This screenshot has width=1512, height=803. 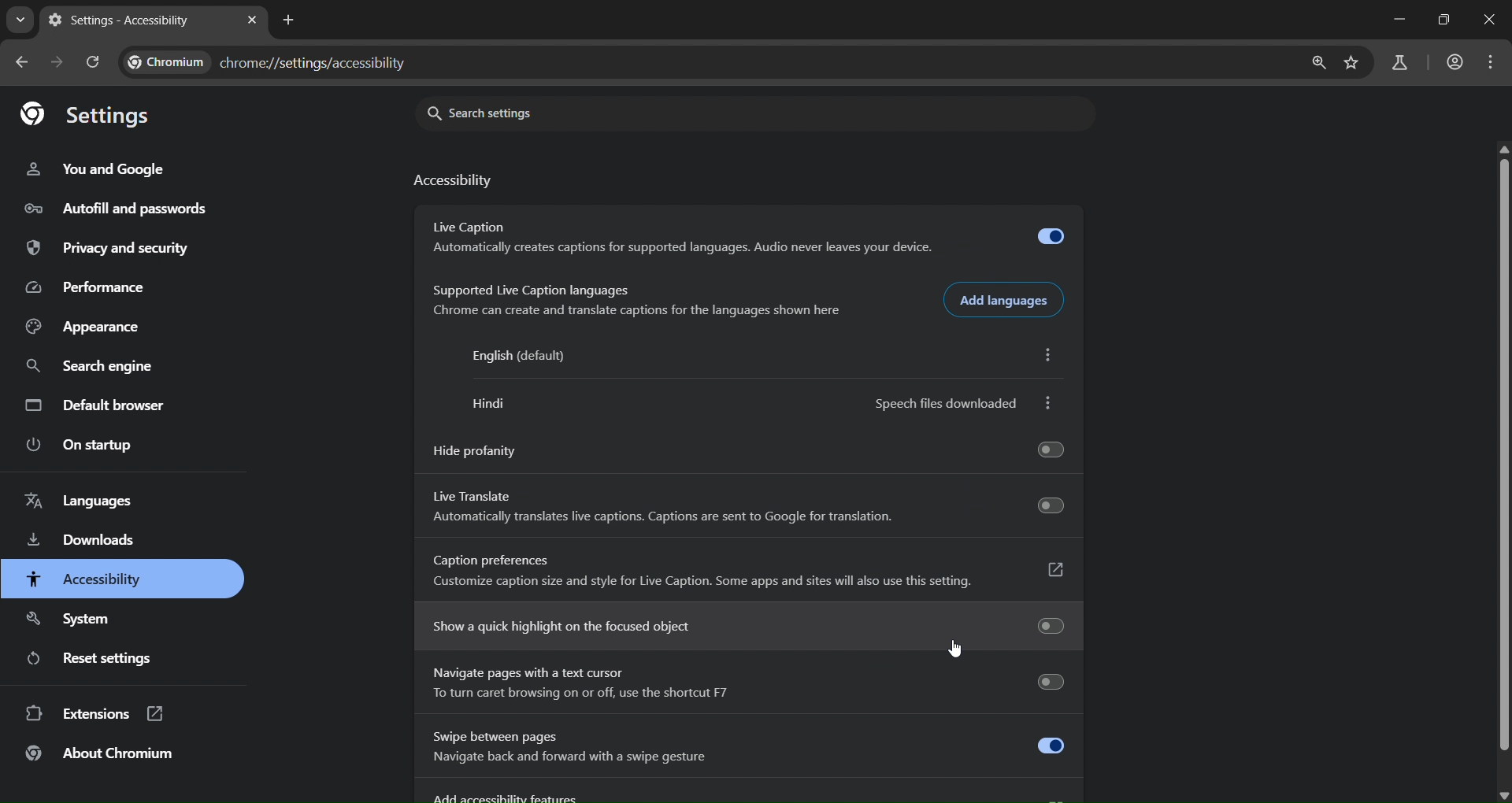 What do you see at coordinates (1503, 454) in the screenshot?
I see `scroll bar` at bounding box center [1503, 454].